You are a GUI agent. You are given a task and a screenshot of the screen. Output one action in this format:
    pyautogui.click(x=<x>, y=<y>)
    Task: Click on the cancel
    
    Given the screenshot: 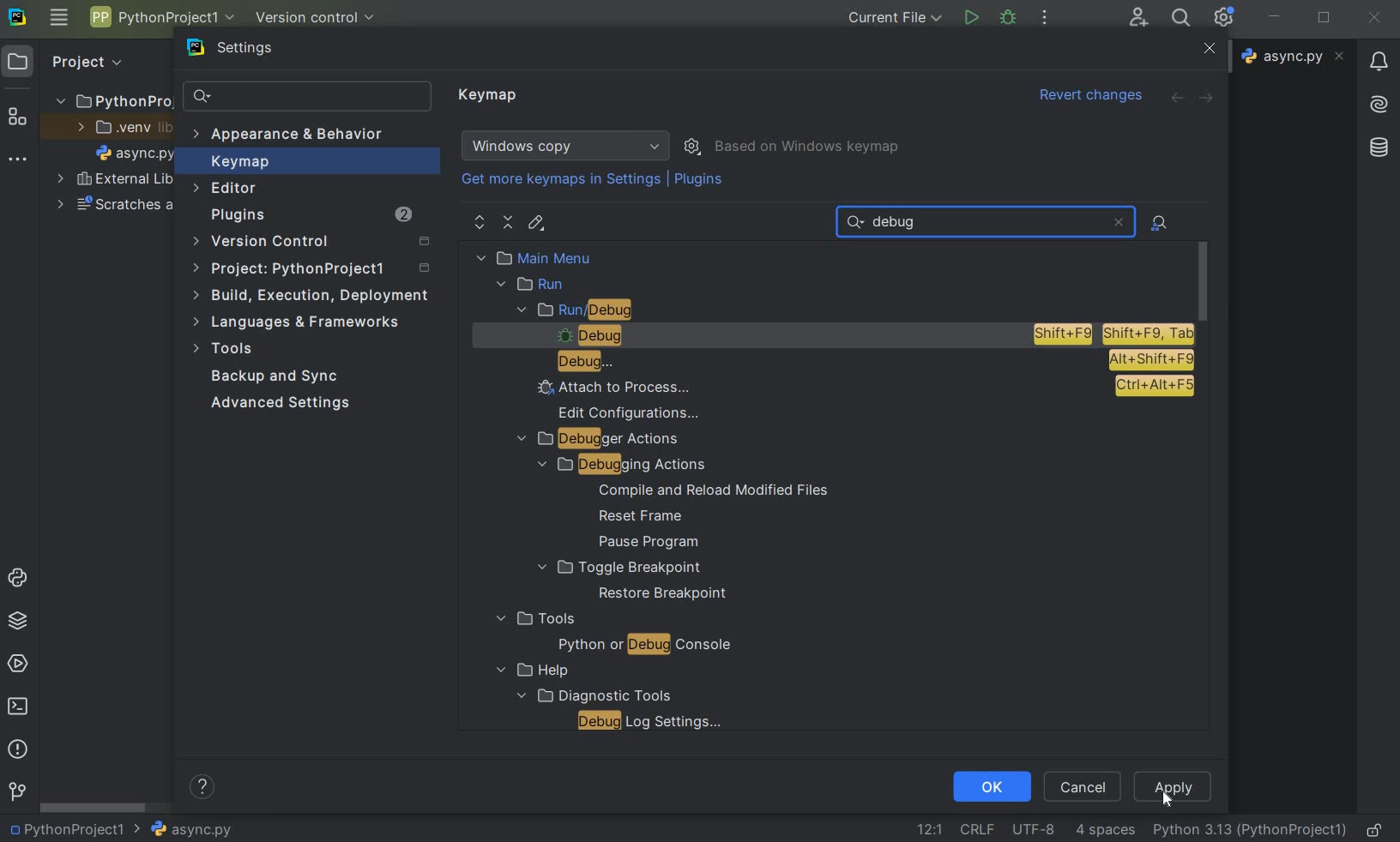 What is the action you would take?
    pyautogui.click(x=1083, y=785)
    